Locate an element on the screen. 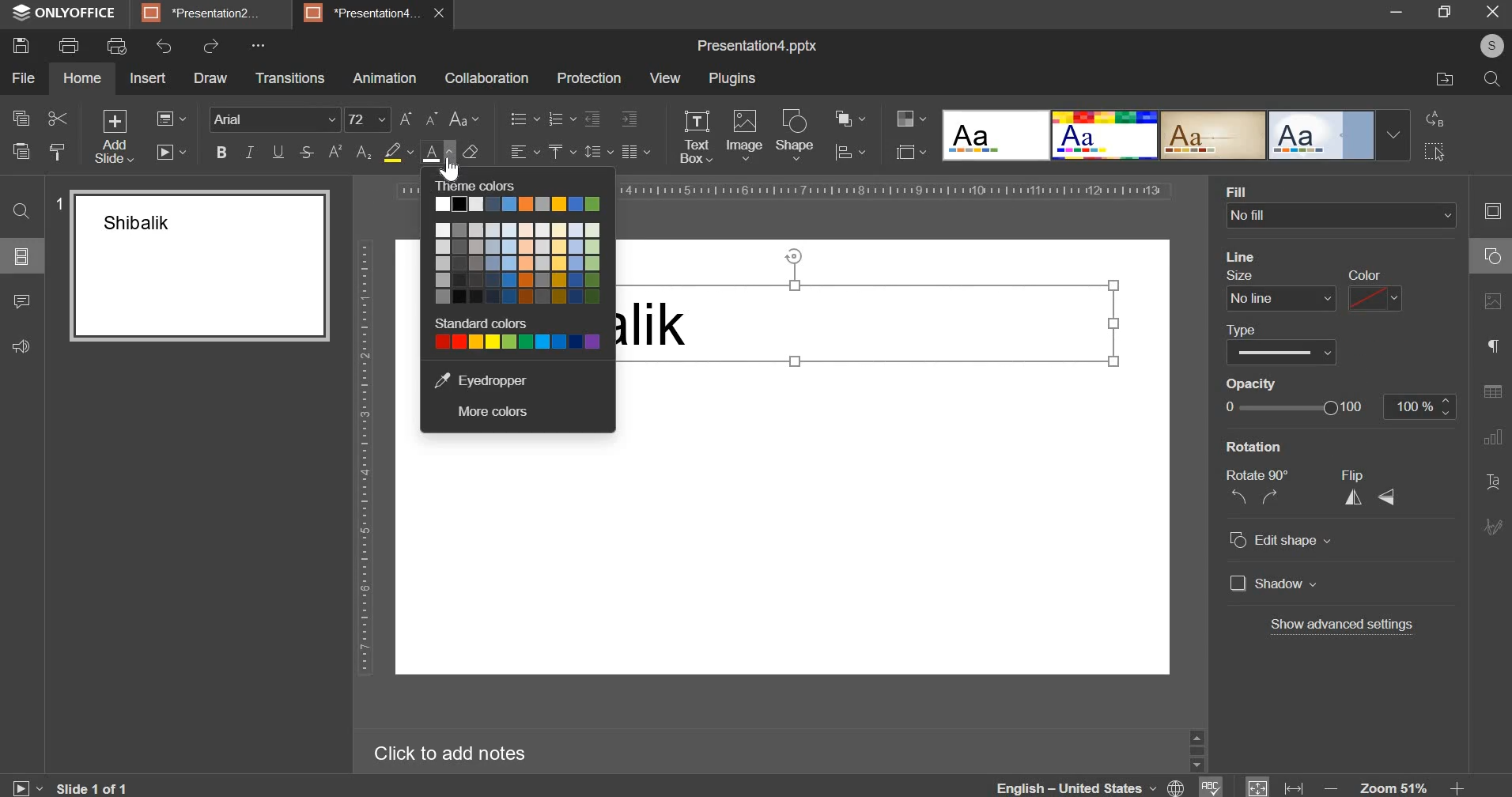 The image size is (1512, 797). line spacing is located at coordinates (599, 152).